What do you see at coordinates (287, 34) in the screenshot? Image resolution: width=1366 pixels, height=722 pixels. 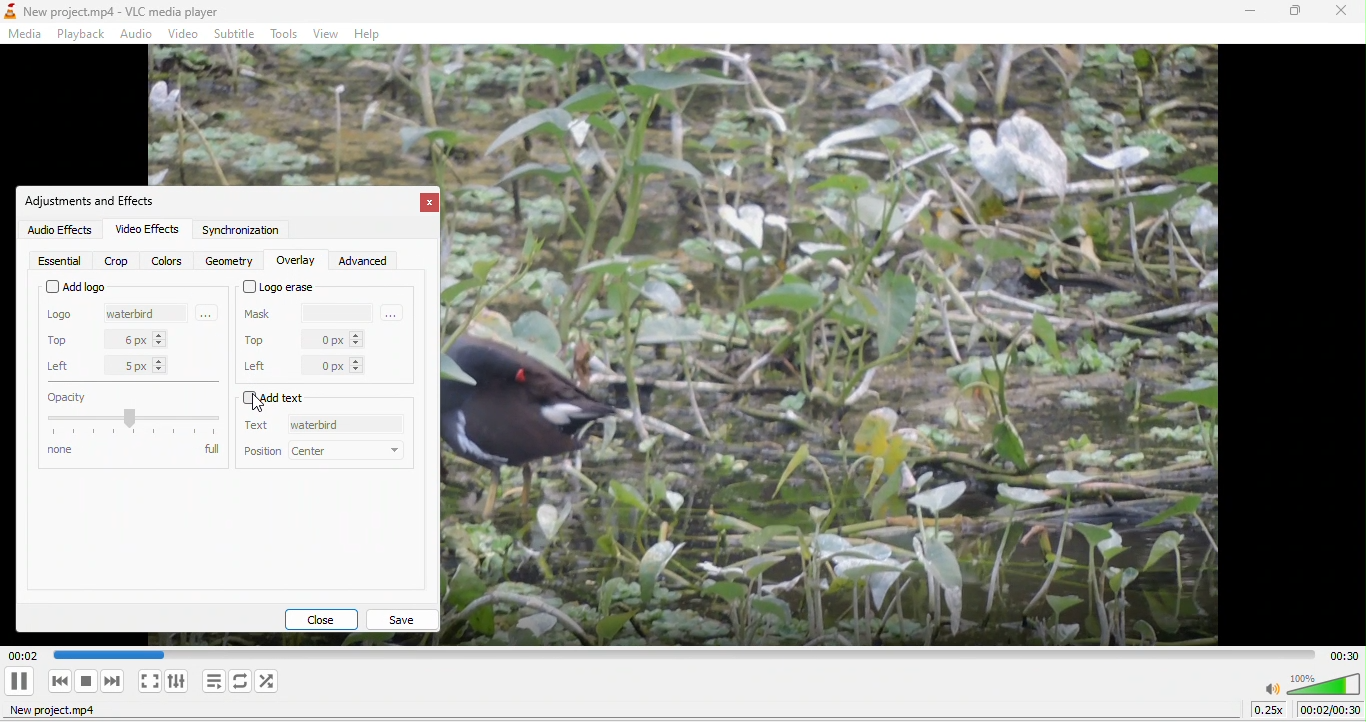 I see `tools` at bounding box center [287, 34].